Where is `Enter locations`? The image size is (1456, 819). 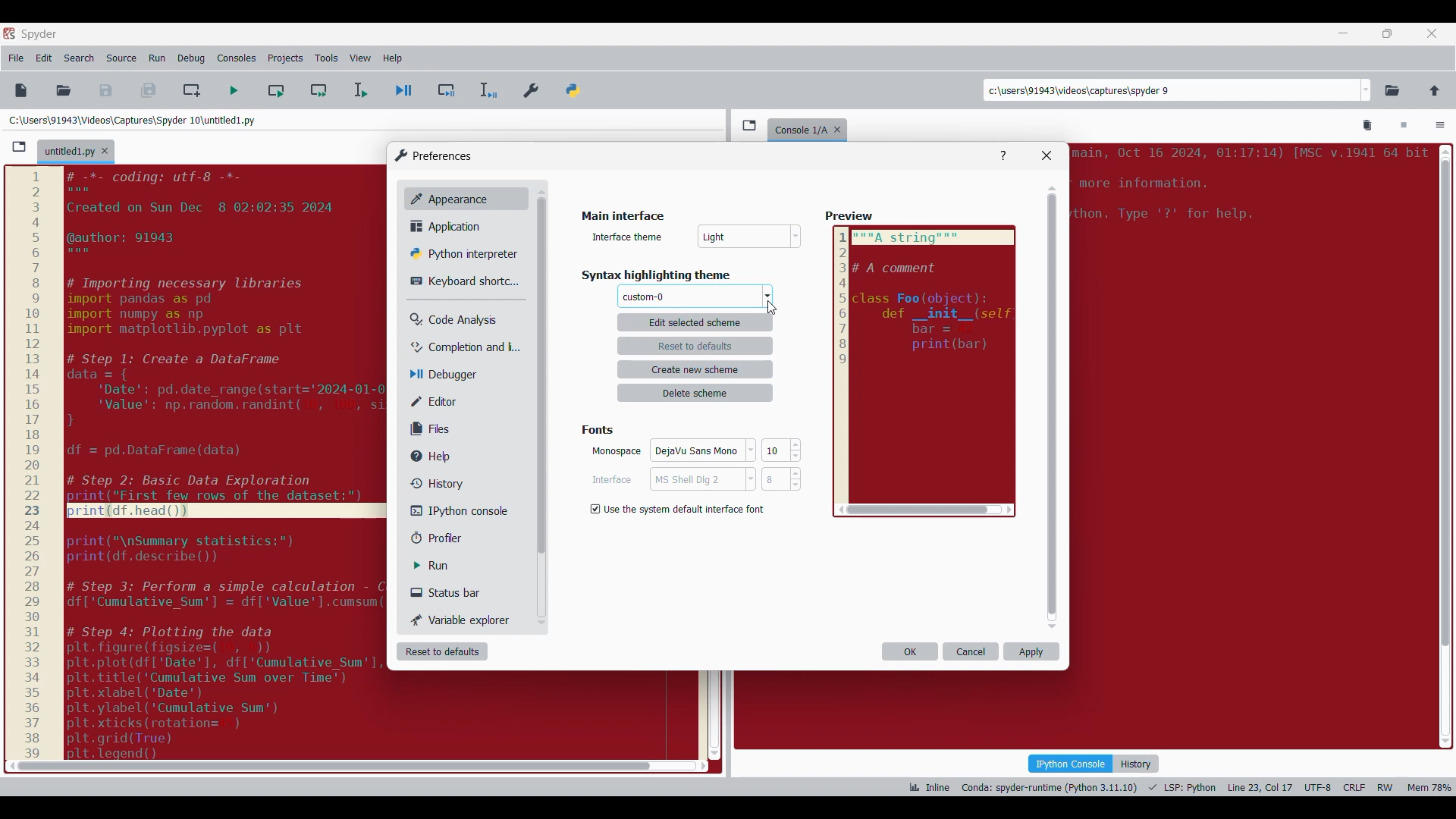
Enter locations is located at coordinates (1171, 90).